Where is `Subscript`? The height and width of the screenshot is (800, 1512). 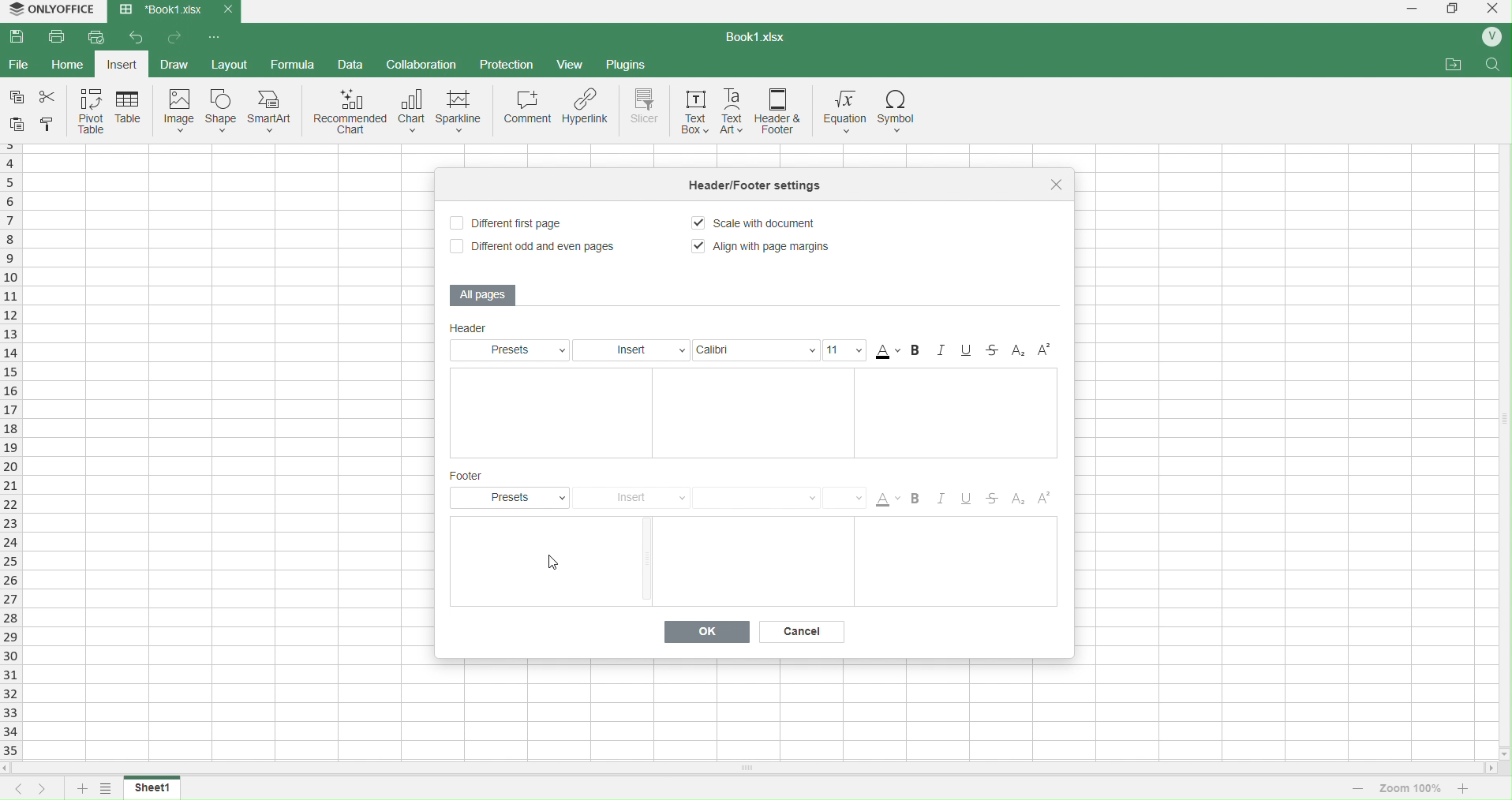 Subscript is located at coordinates (1017, 352).